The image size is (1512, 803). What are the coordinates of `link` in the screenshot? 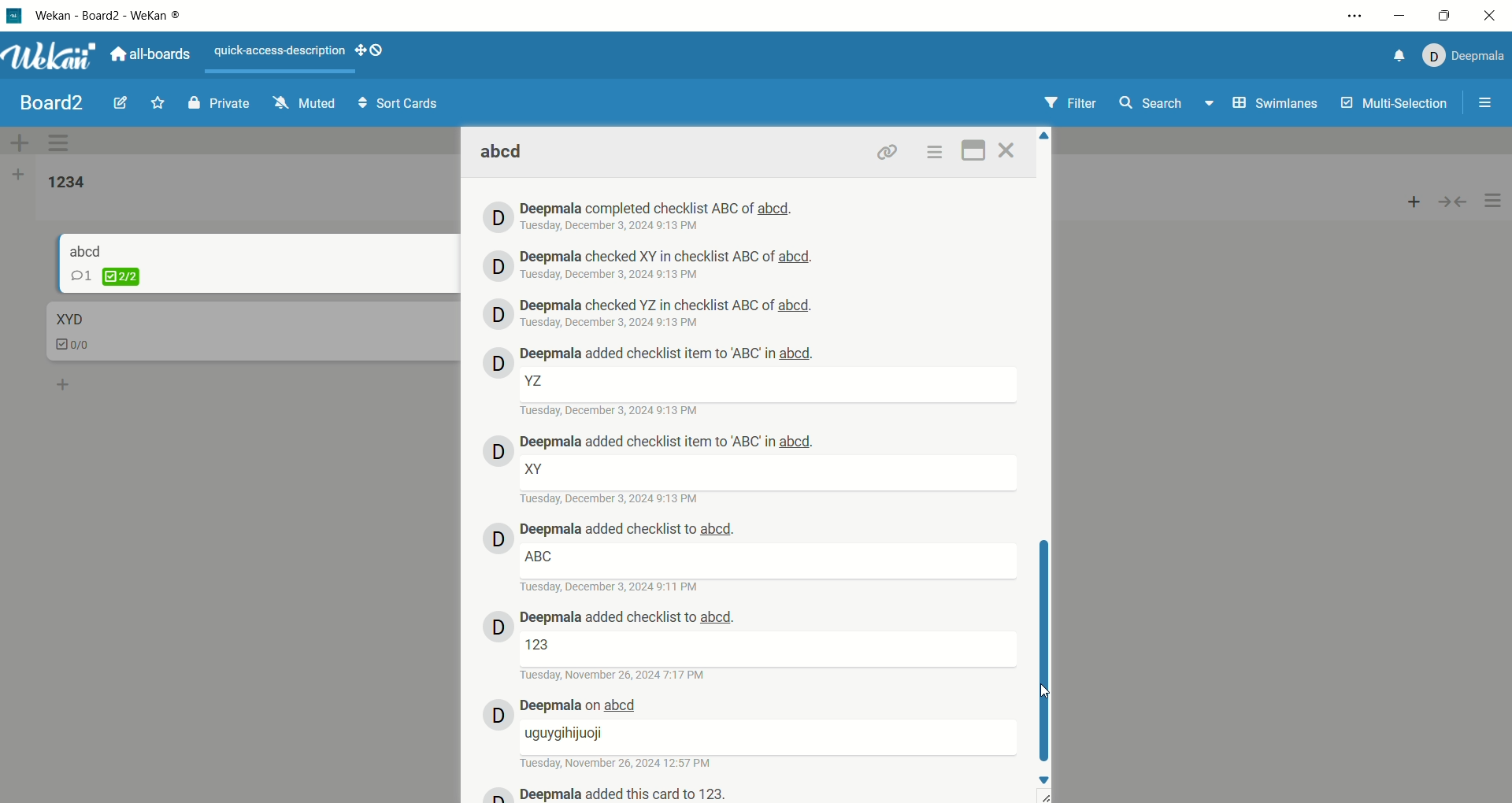 It's located at (888, 151).